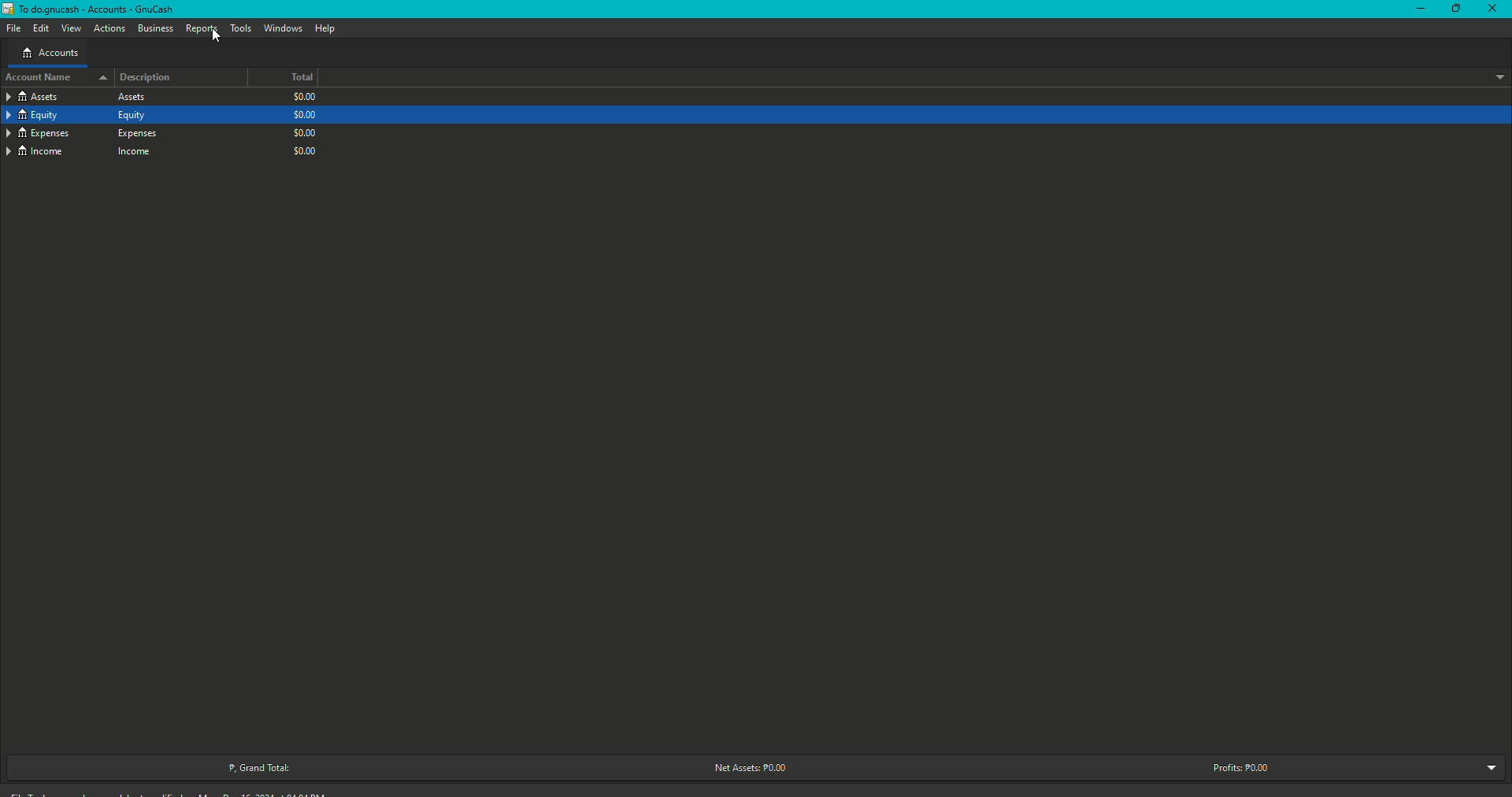 This screenshot has width=1512, height=797. Describe the element at coordinates (286, 28) in the screenshot. I see `Windows` at that location.